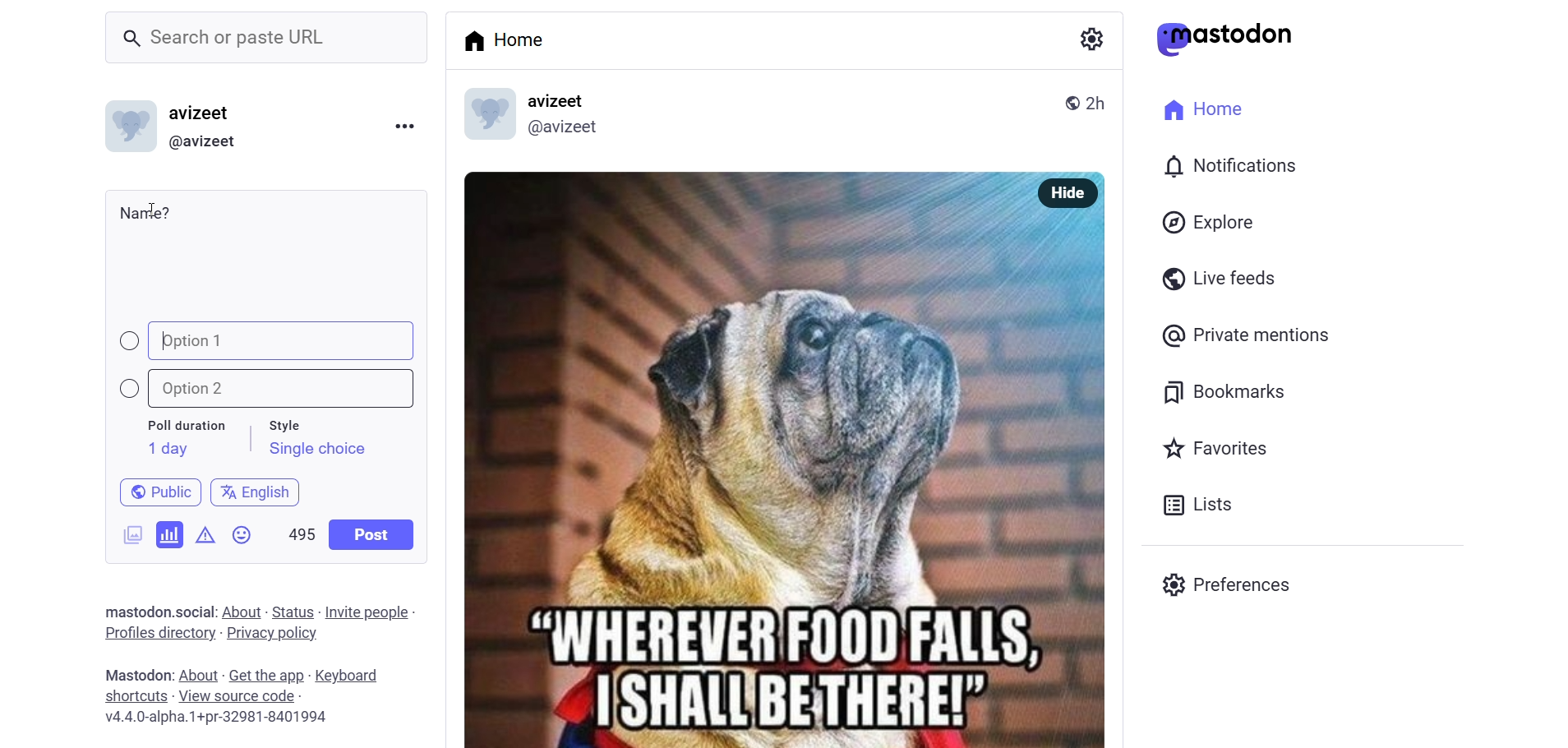 The image size is (1568, 748). I want to click on mastodon, so click(1225, 39).